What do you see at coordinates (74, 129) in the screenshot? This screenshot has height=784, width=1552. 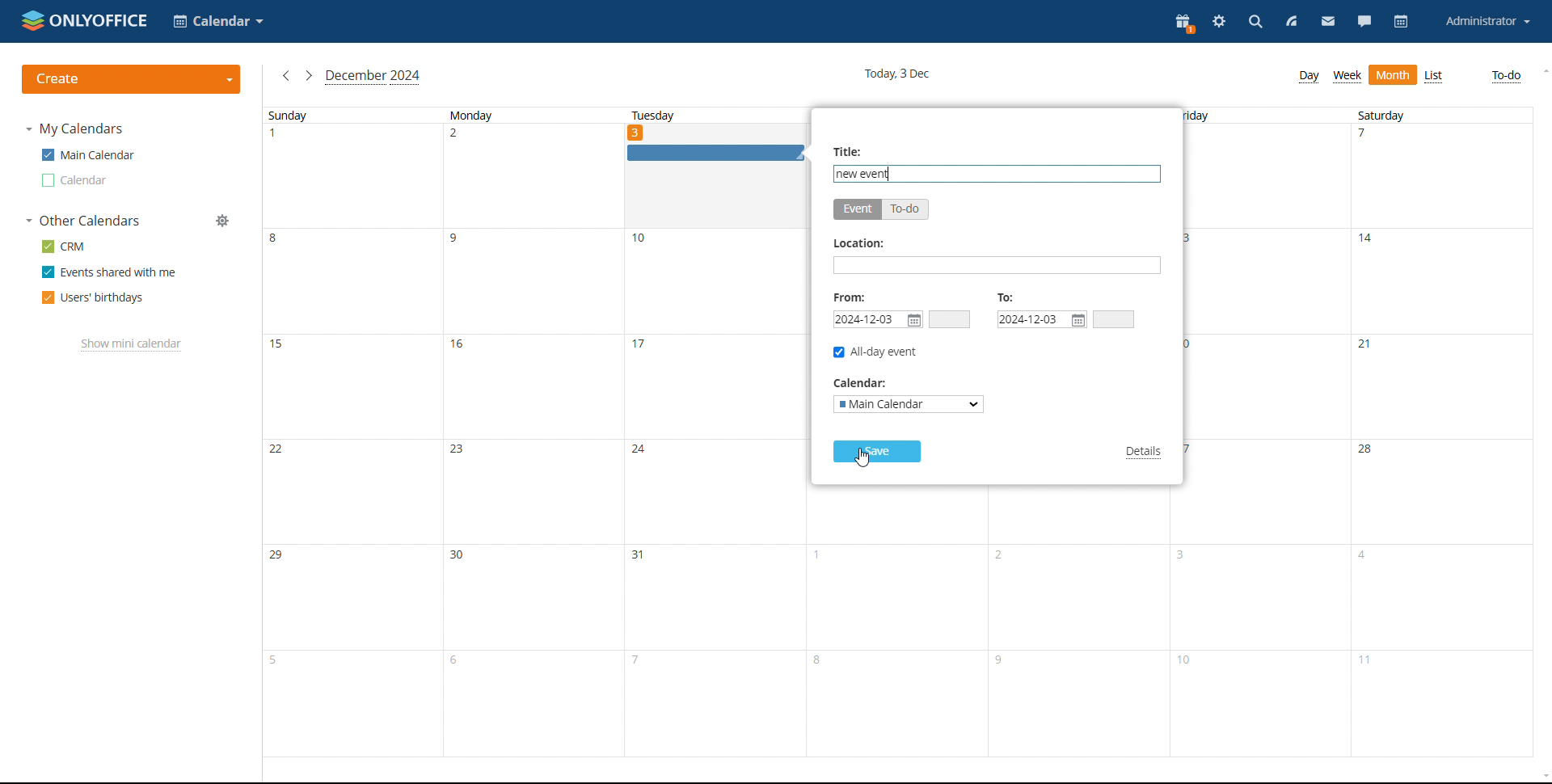 I see `my calendars` at bounding box center [74, 129].